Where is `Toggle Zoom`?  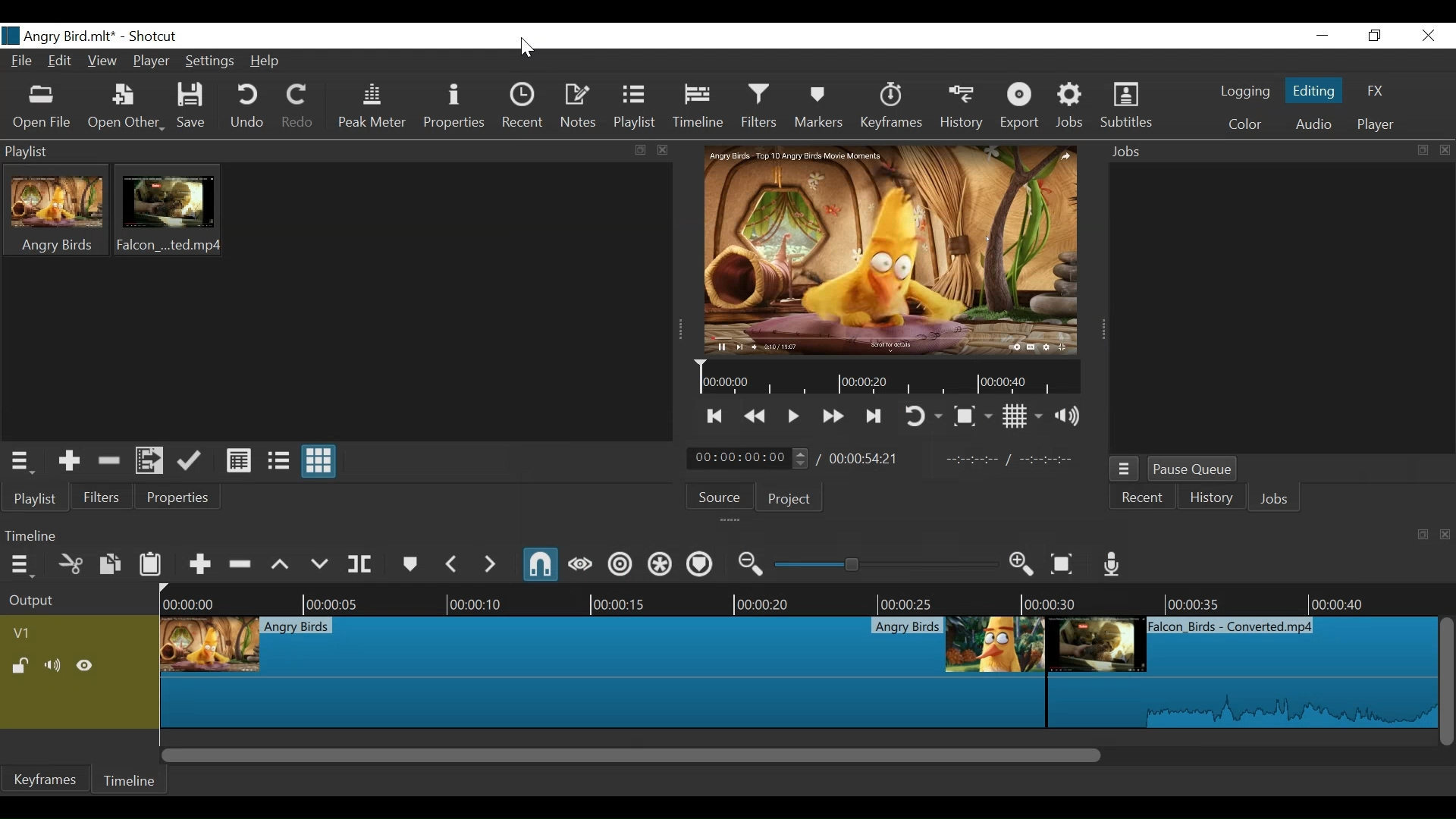 Toggle Zoom is located at coordinates (971, 416).